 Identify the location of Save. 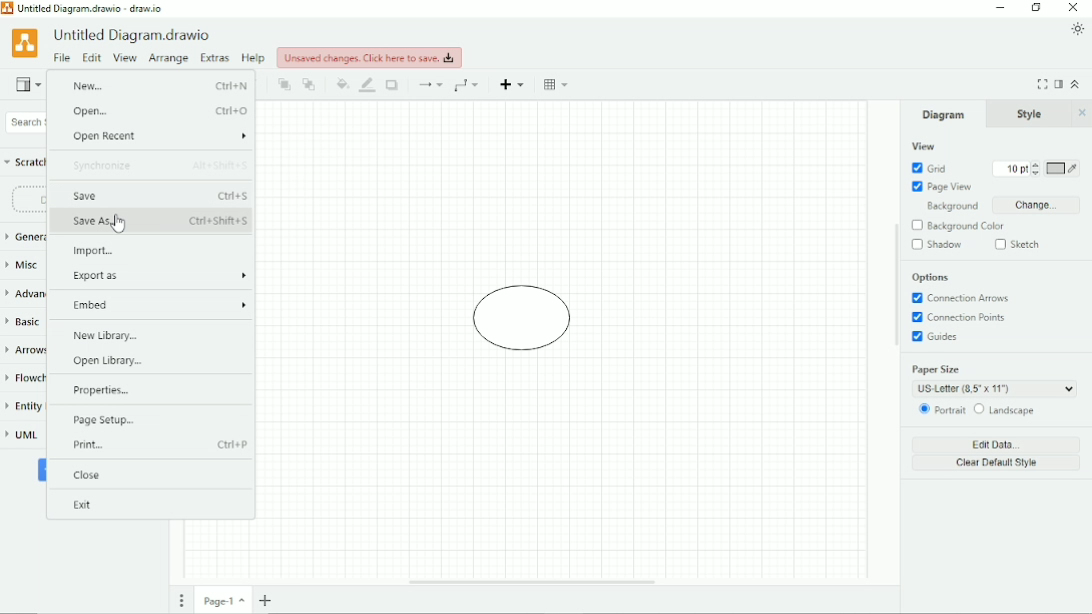
(162, 196).